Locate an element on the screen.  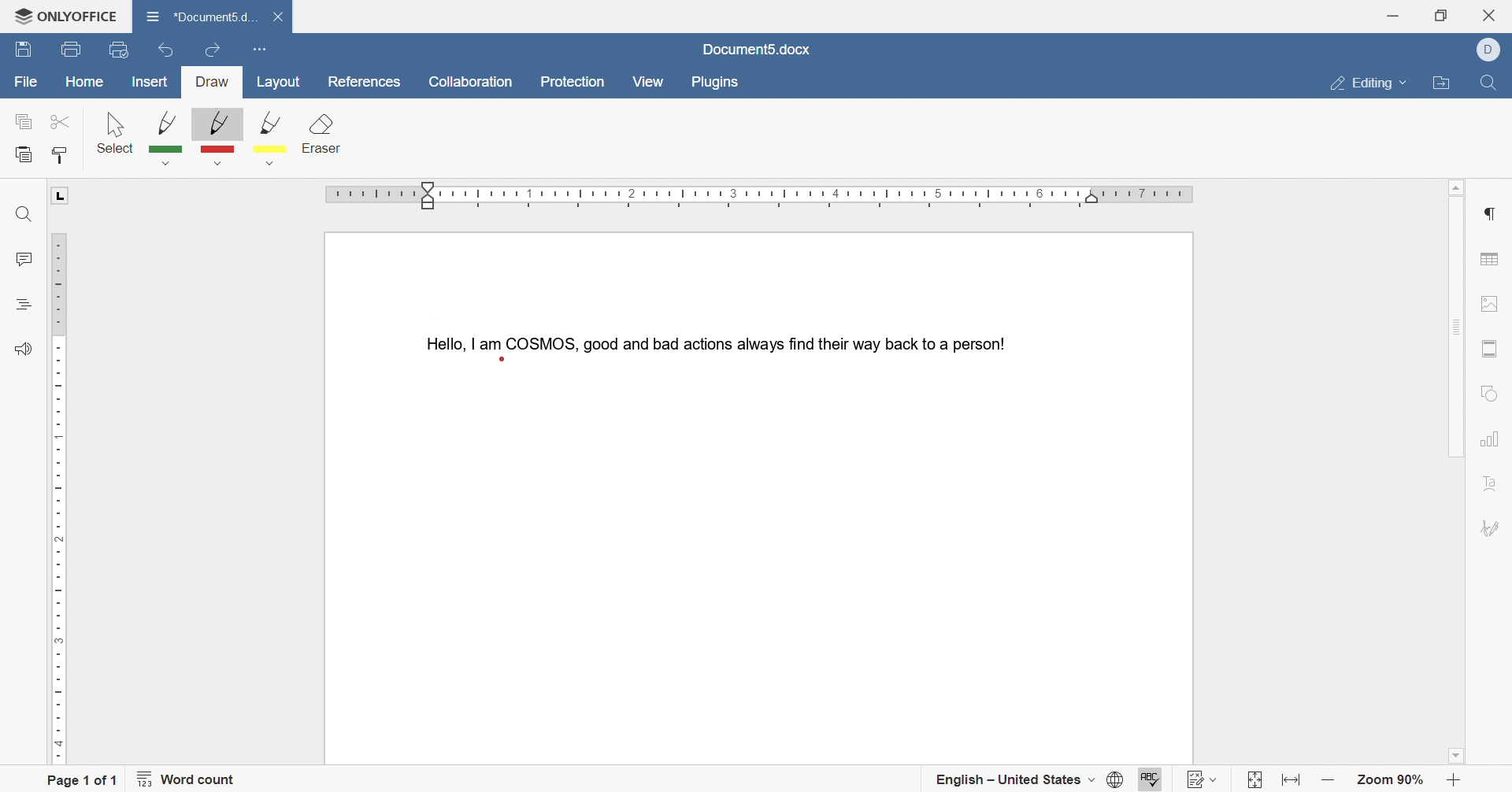
MOUSE_DOWN Cursor is located at coordinates (502, 361).